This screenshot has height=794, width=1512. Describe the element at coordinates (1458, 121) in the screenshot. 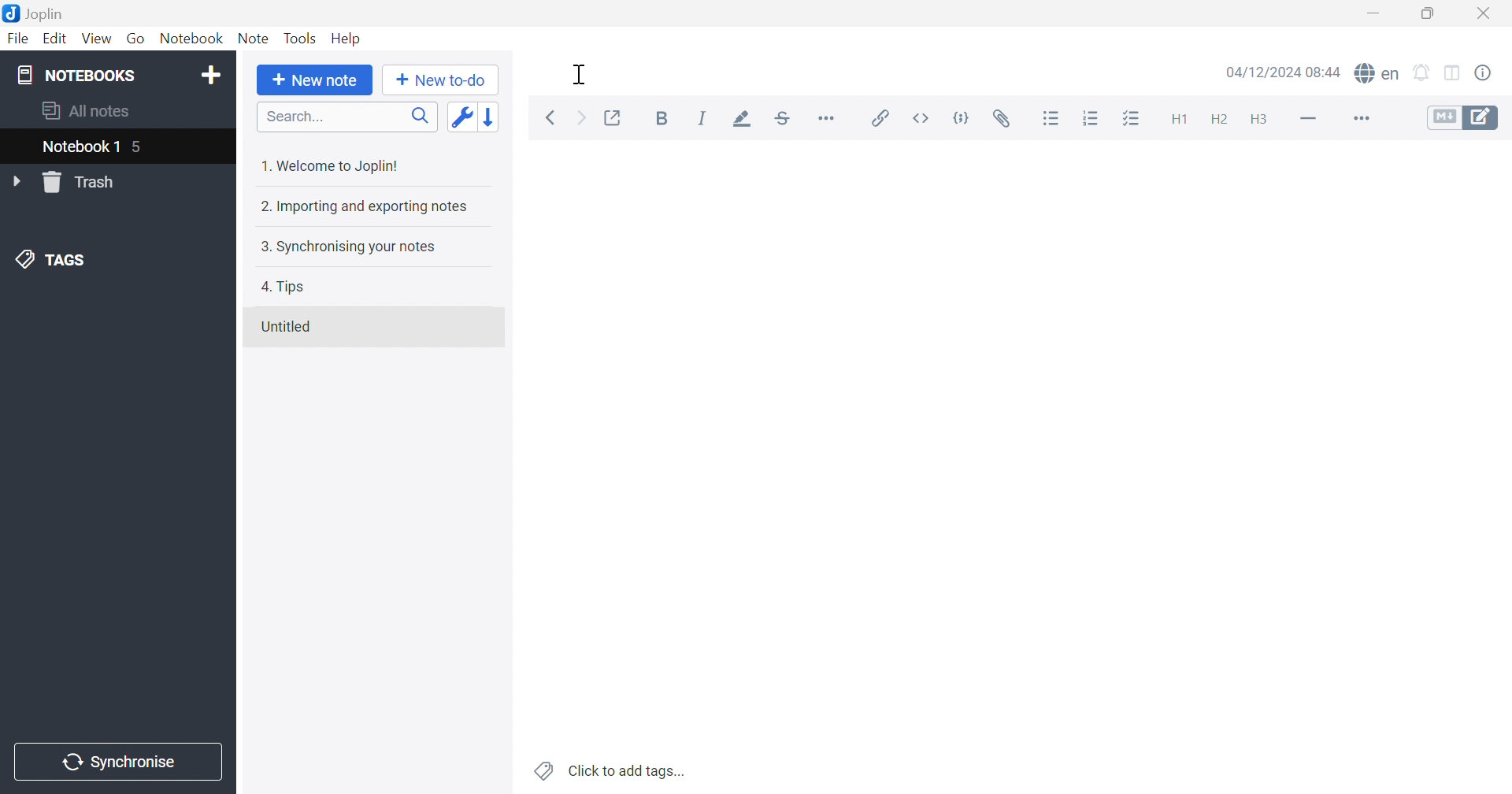

I see `Toggle Editors` at that location.